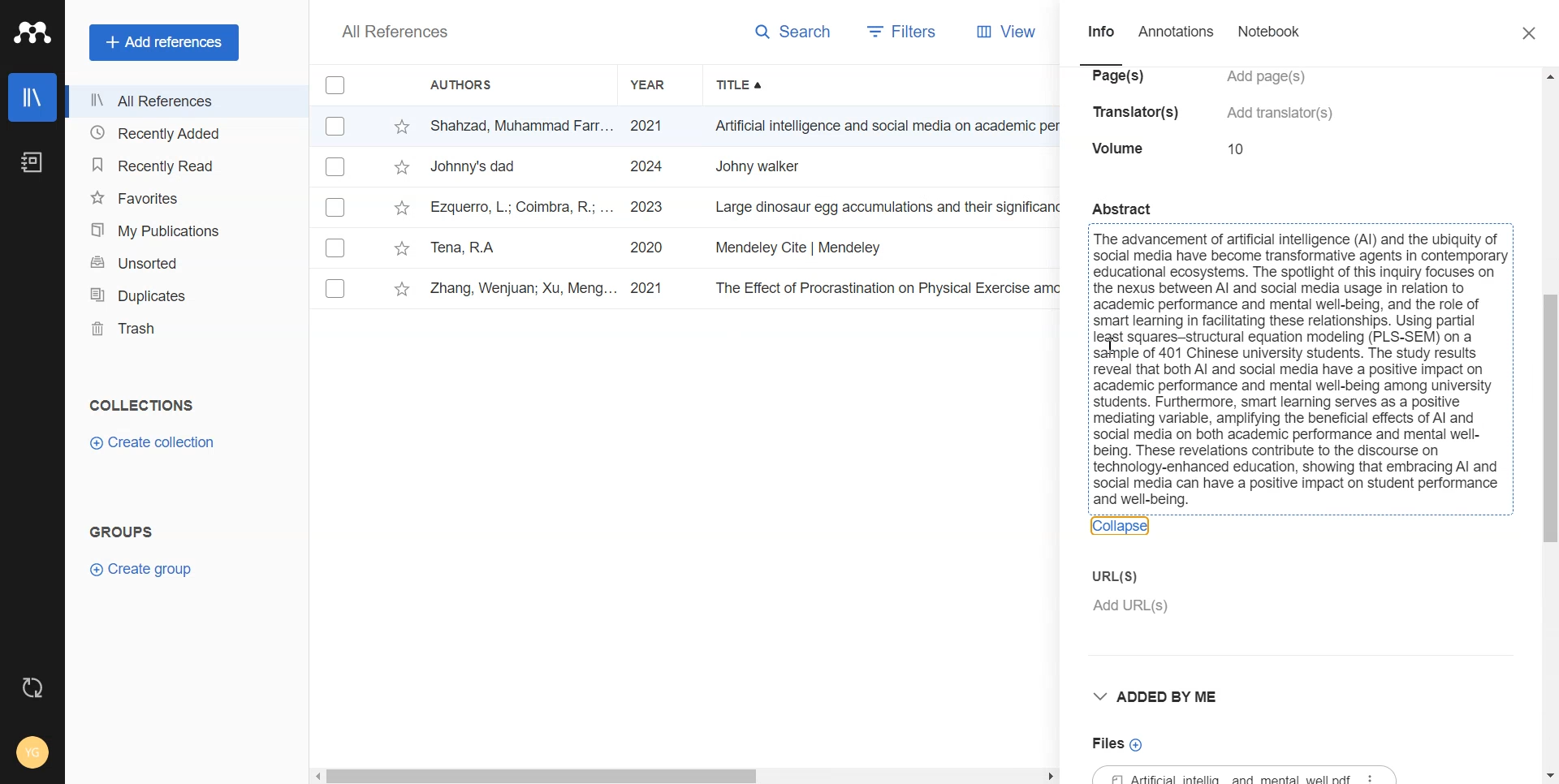  What do you see at coordinates (747, 126) in the screenshot?
I see `- Shahzad, Muhammad Farr... 2021 Artificial intelligence and social media on academic performance and mental ...  Heliyon 12/18/2024` at bounding box center [747, 126].